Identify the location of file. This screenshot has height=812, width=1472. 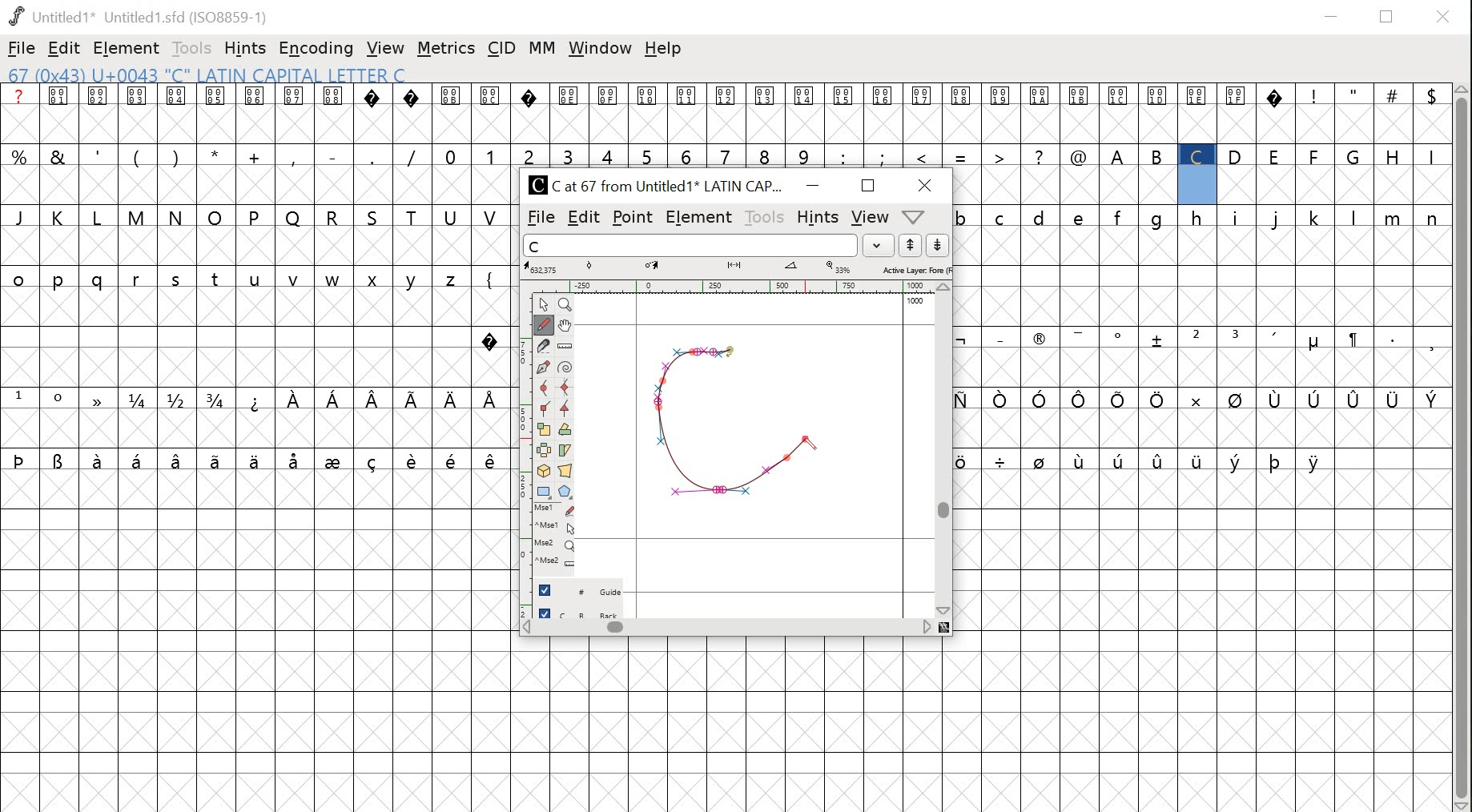
(537, 218).